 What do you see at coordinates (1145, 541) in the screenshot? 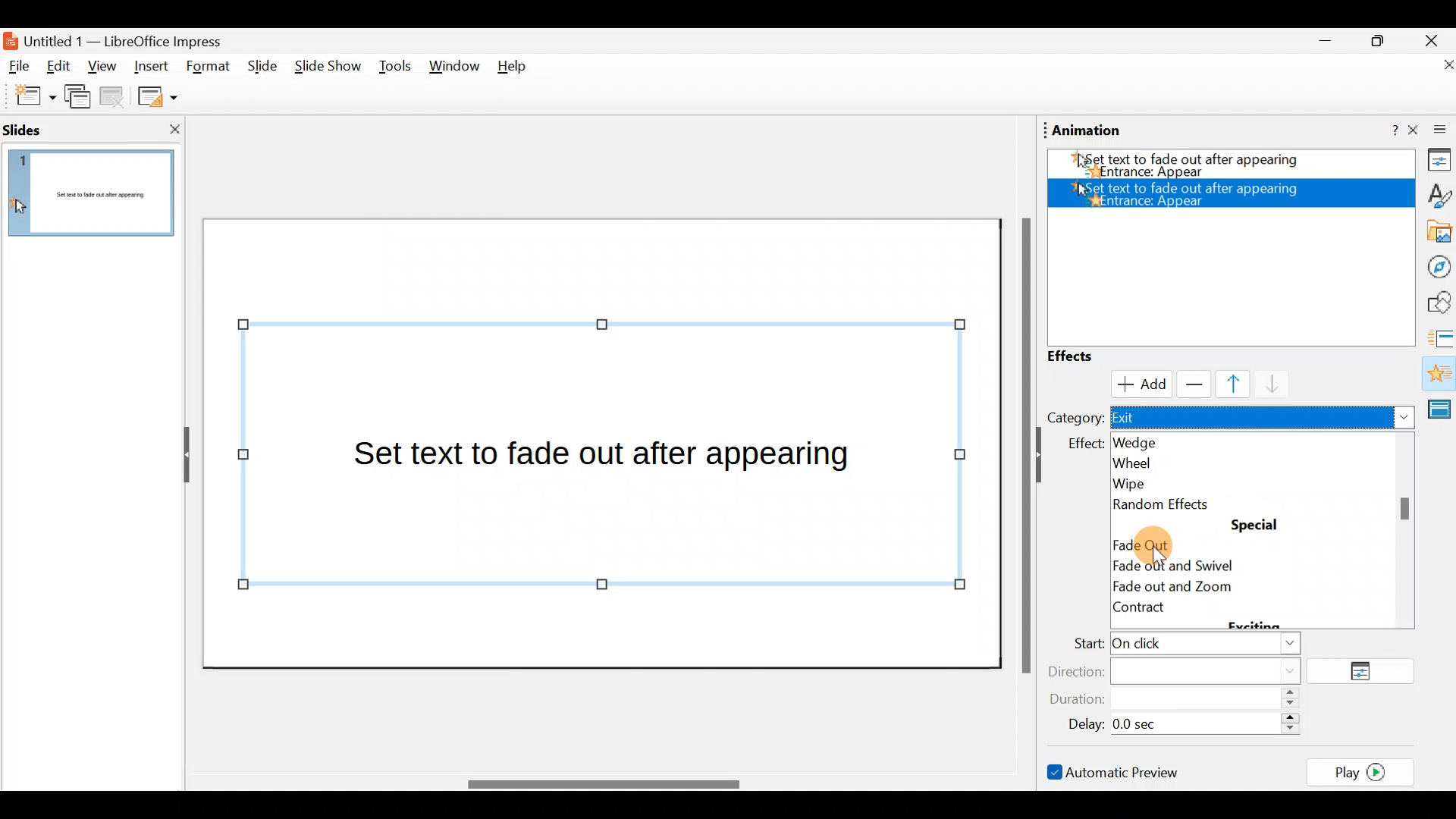
I see `Cursor` at bounding box center [1145, 541].